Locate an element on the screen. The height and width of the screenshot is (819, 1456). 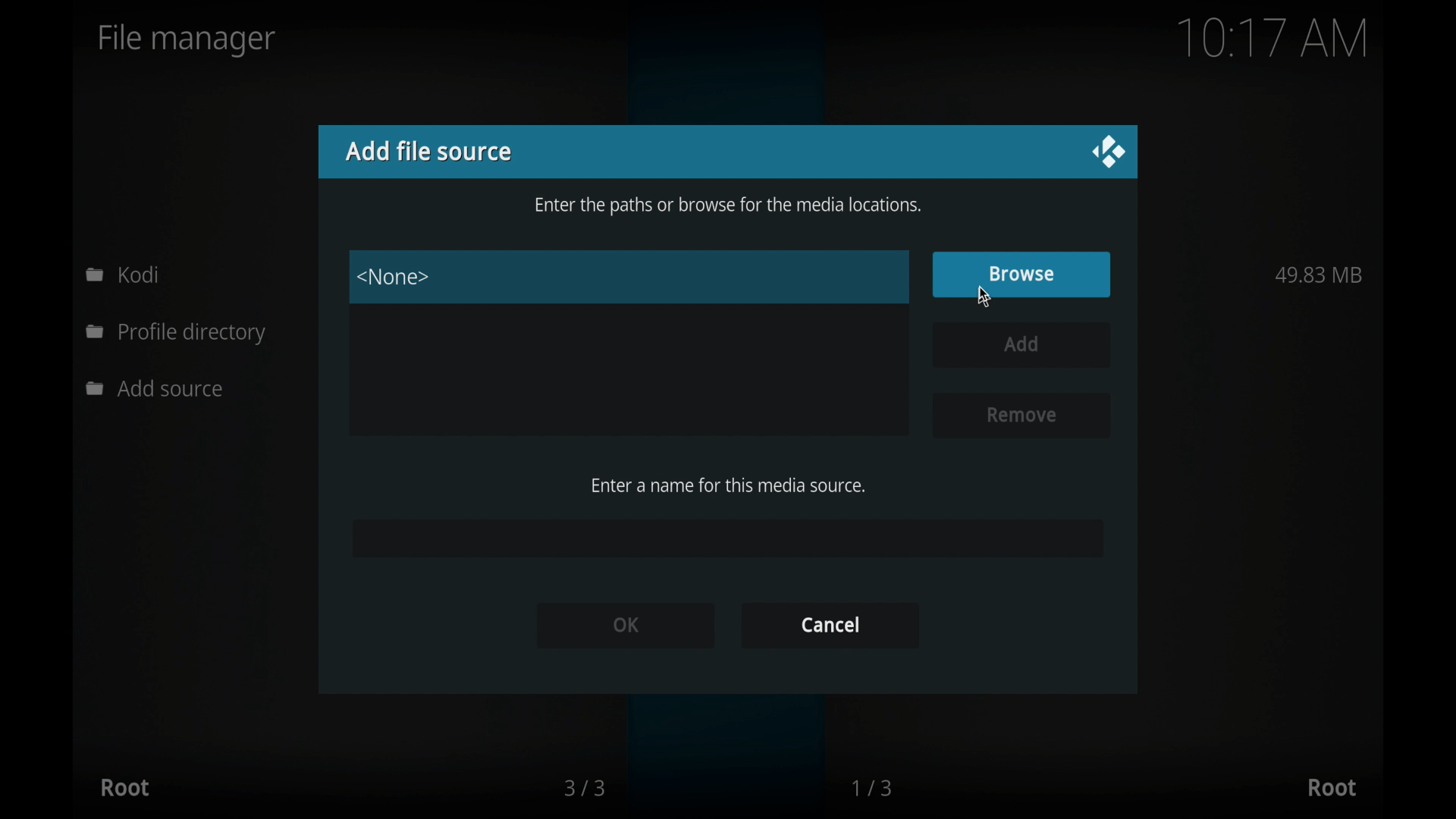
add is located at coordinates (1021, 345).